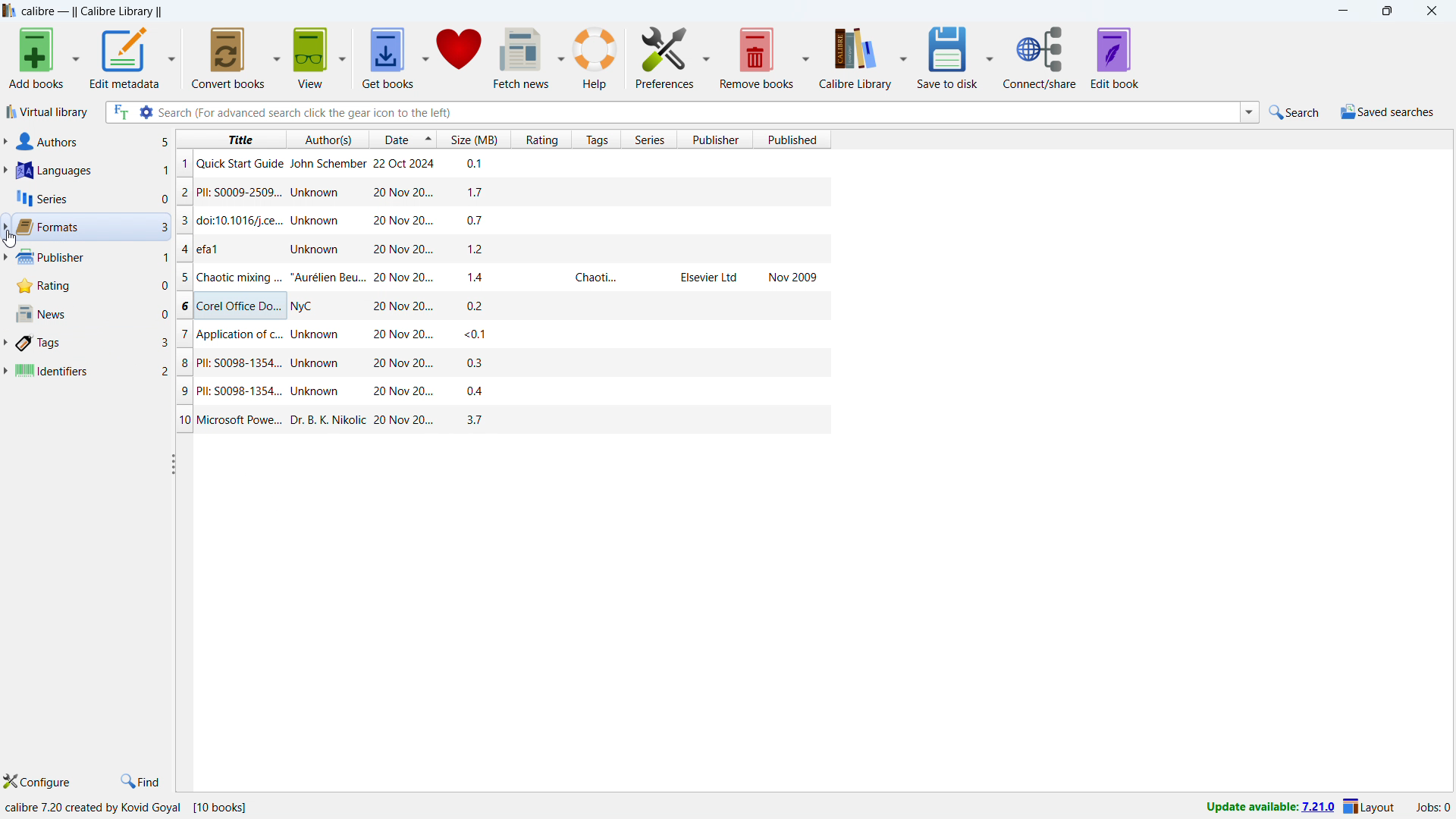  Describe the element at coordinates (5, 225) in the screenshot. I see `expand formats` at that location.